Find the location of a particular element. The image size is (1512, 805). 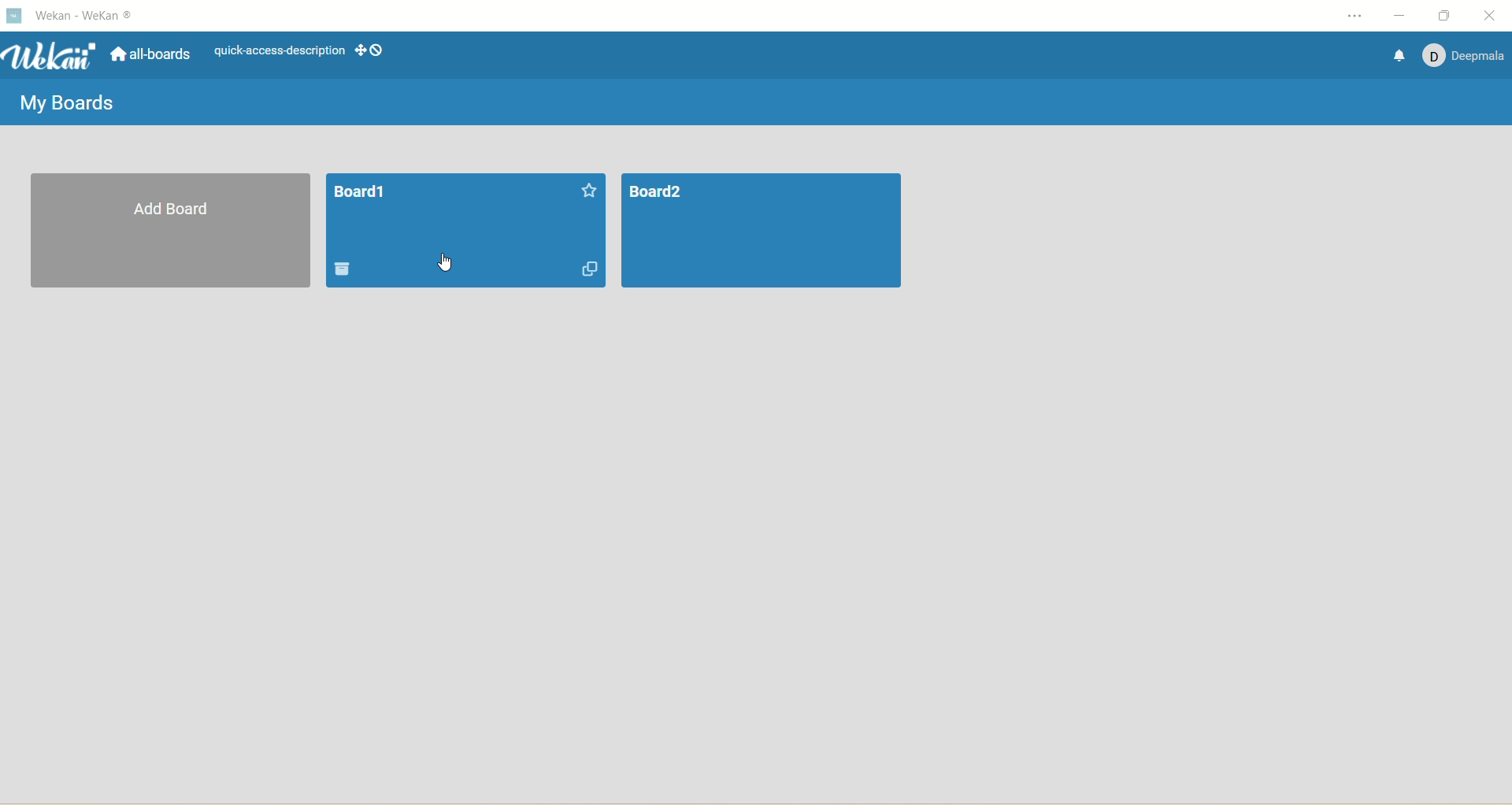

duplicates is located at coordinates (589, 268).